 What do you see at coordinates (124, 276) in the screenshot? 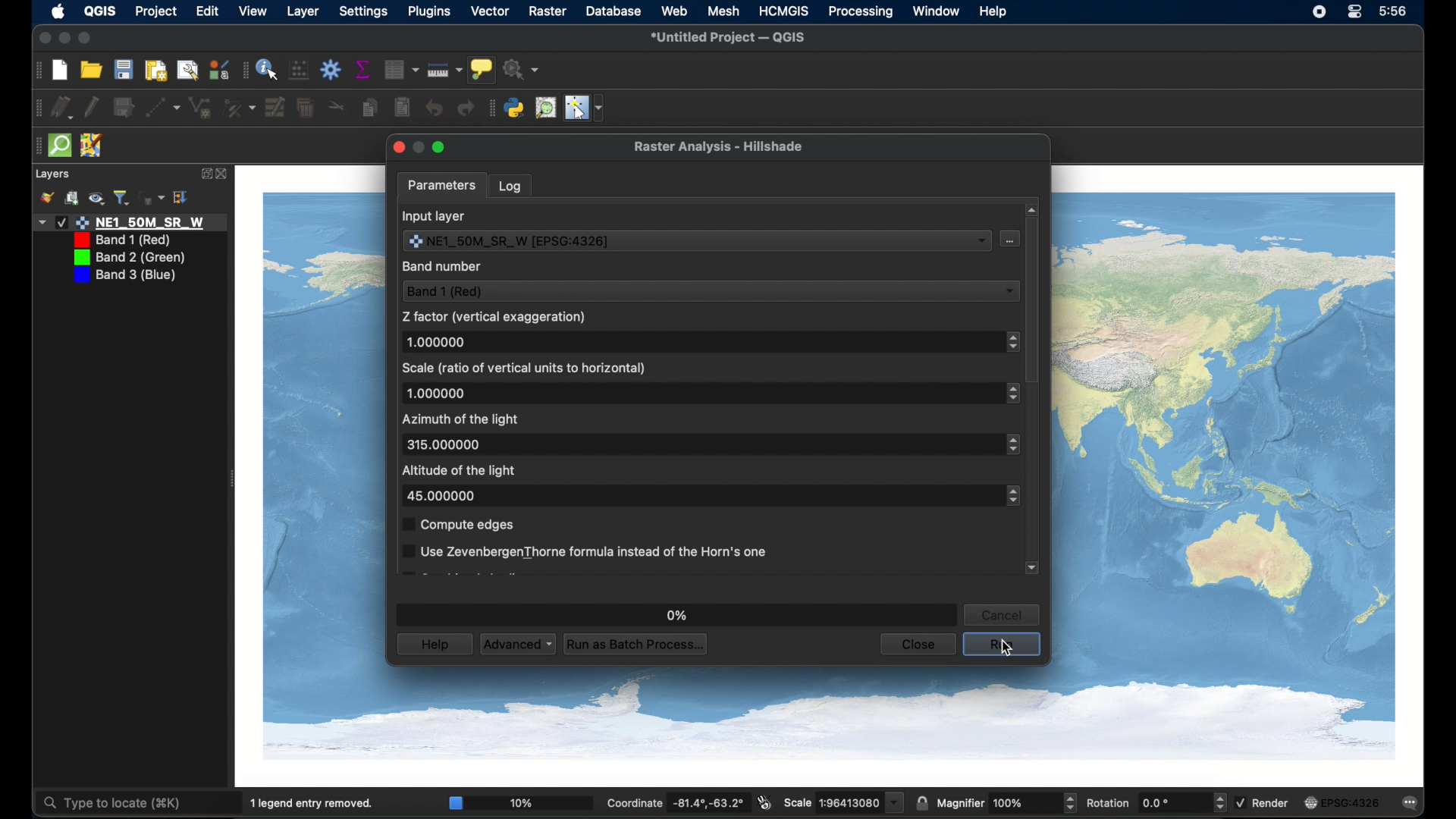
I see `layer 4` at bounding box center [124, 276].